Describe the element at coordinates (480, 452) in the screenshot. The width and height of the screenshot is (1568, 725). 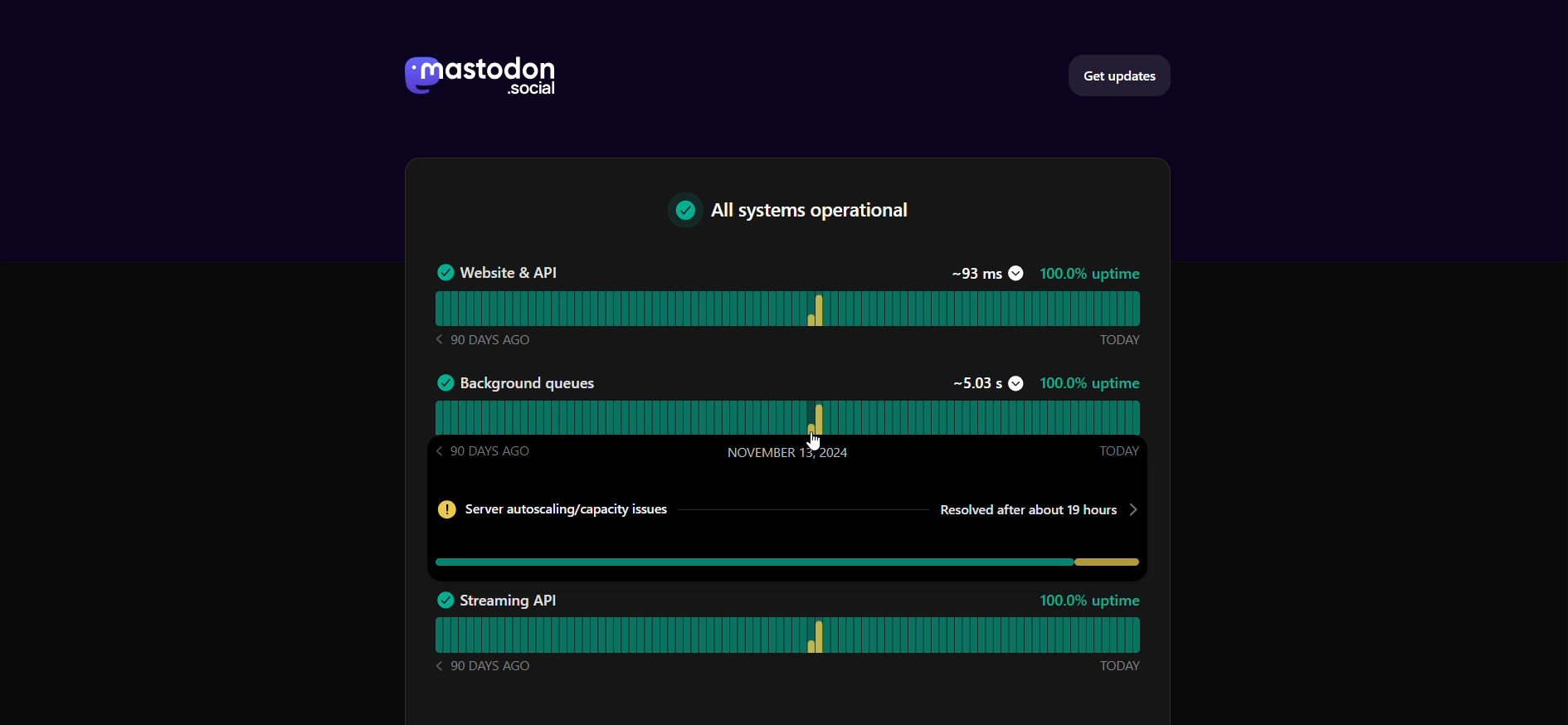
I see `90 DAYS AGO` at that location.